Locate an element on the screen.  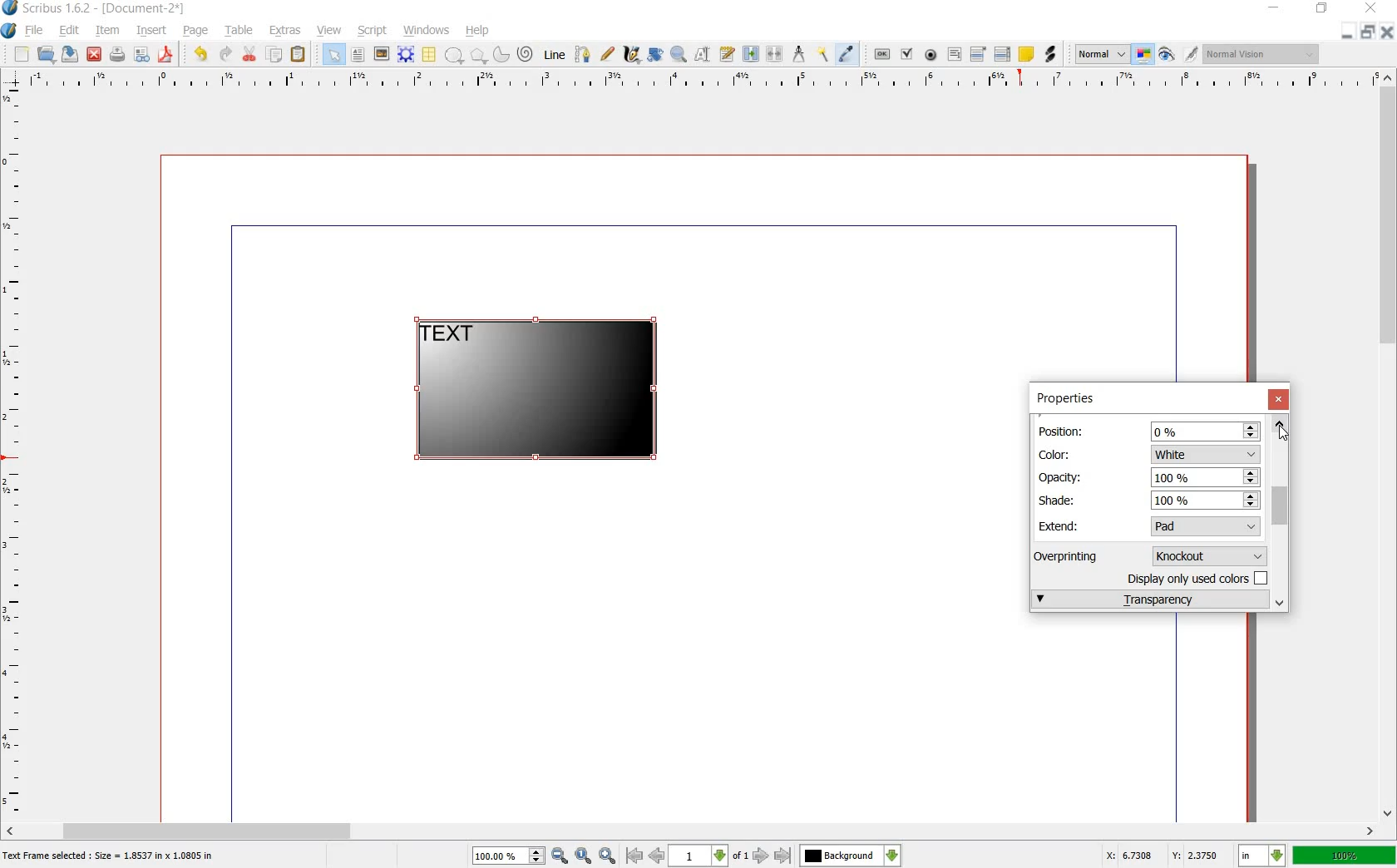
go to previous or first page is located at coordinates (644, 856).